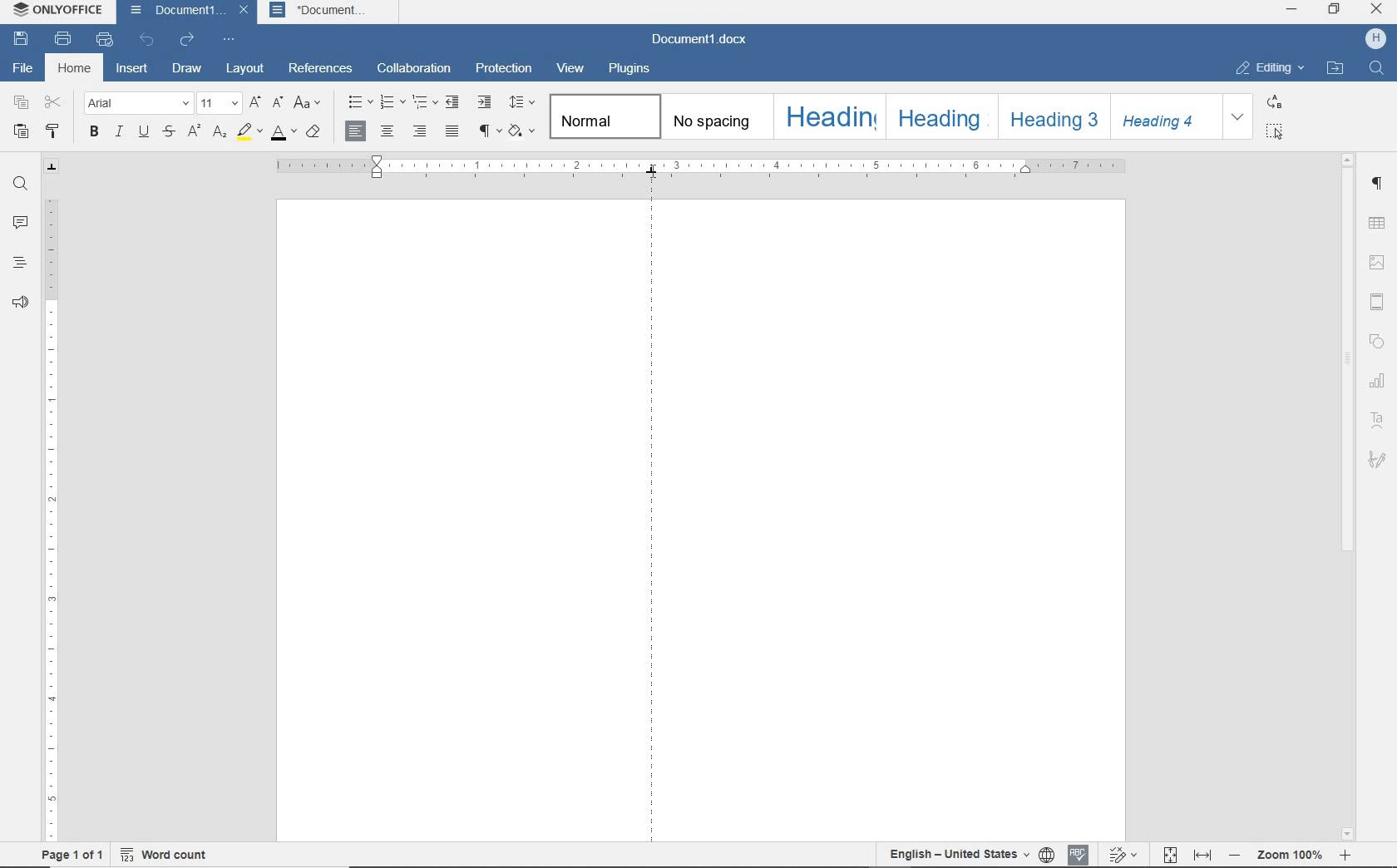 This screenshot has height=868, width=1397. What do you see at coordinates (119, 133) in the screenshot?
I see `ITALIC` at bounding box center [119, 133].